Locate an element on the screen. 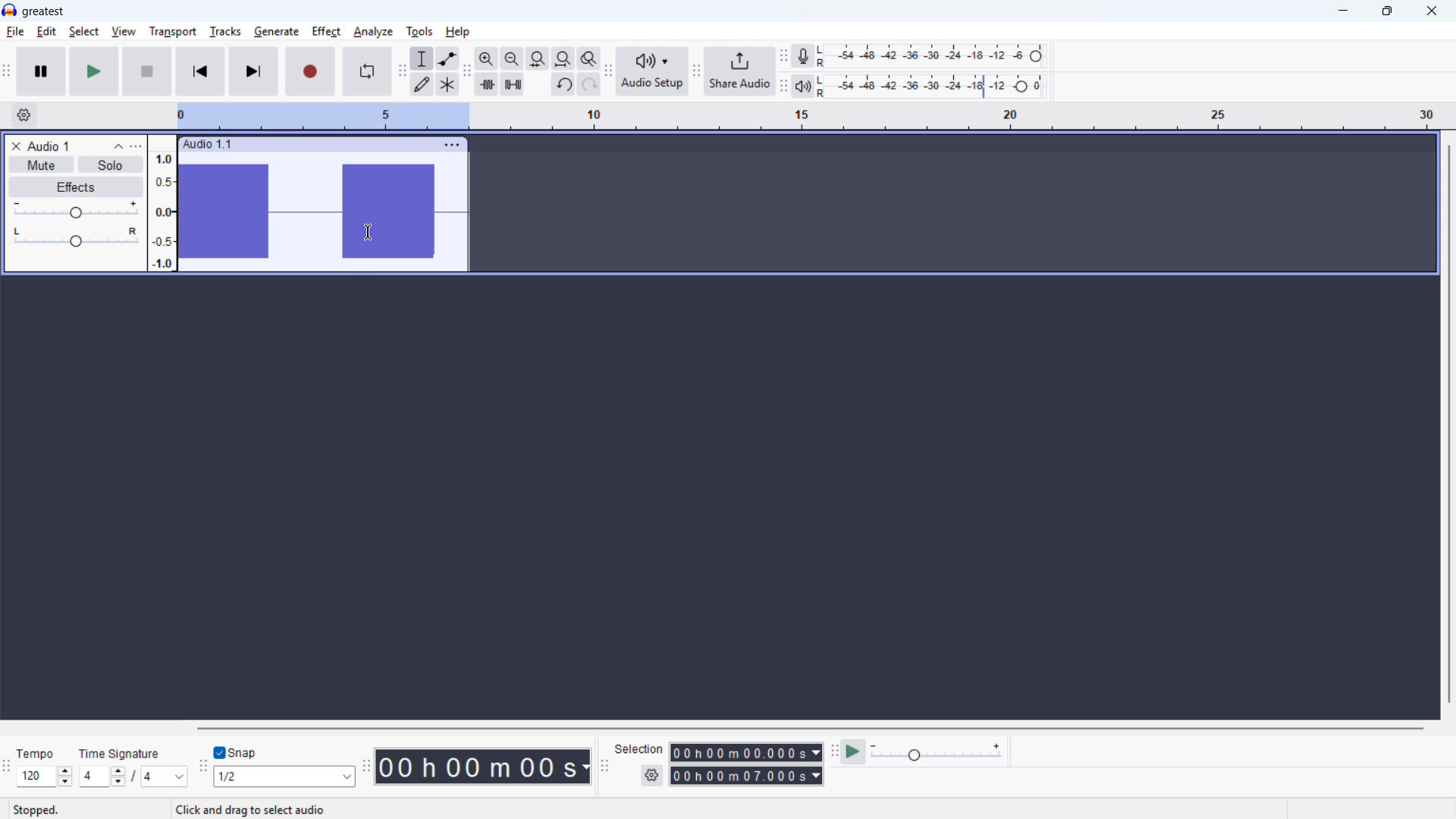 This screenshot has width=1456, height=819. selection is located at coordinates (639, 749).